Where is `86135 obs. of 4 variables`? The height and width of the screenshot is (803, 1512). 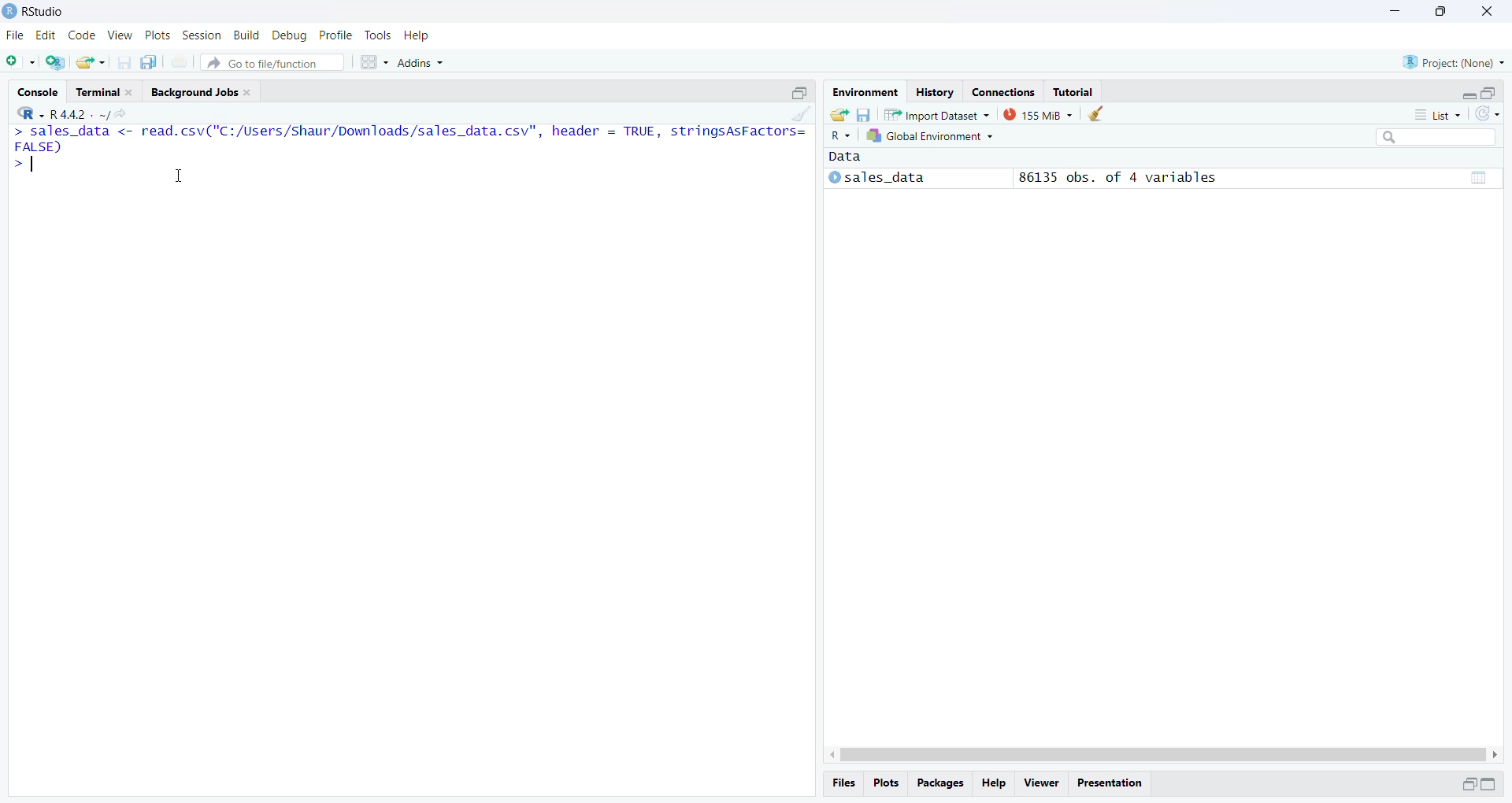
86135 obs. of 4 variables is located at coordinates (1114, 176).